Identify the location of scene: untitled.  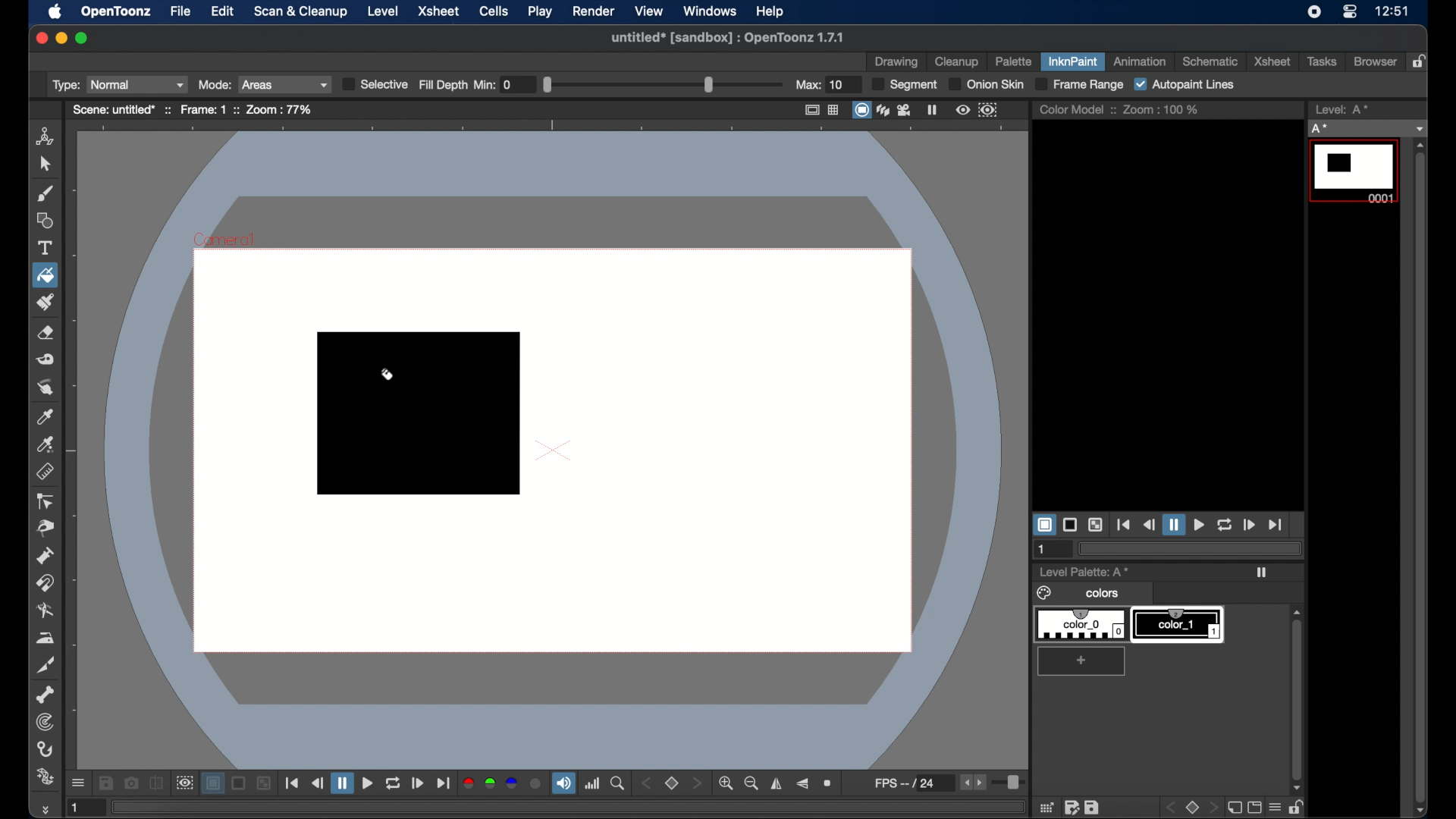
(119, 109).